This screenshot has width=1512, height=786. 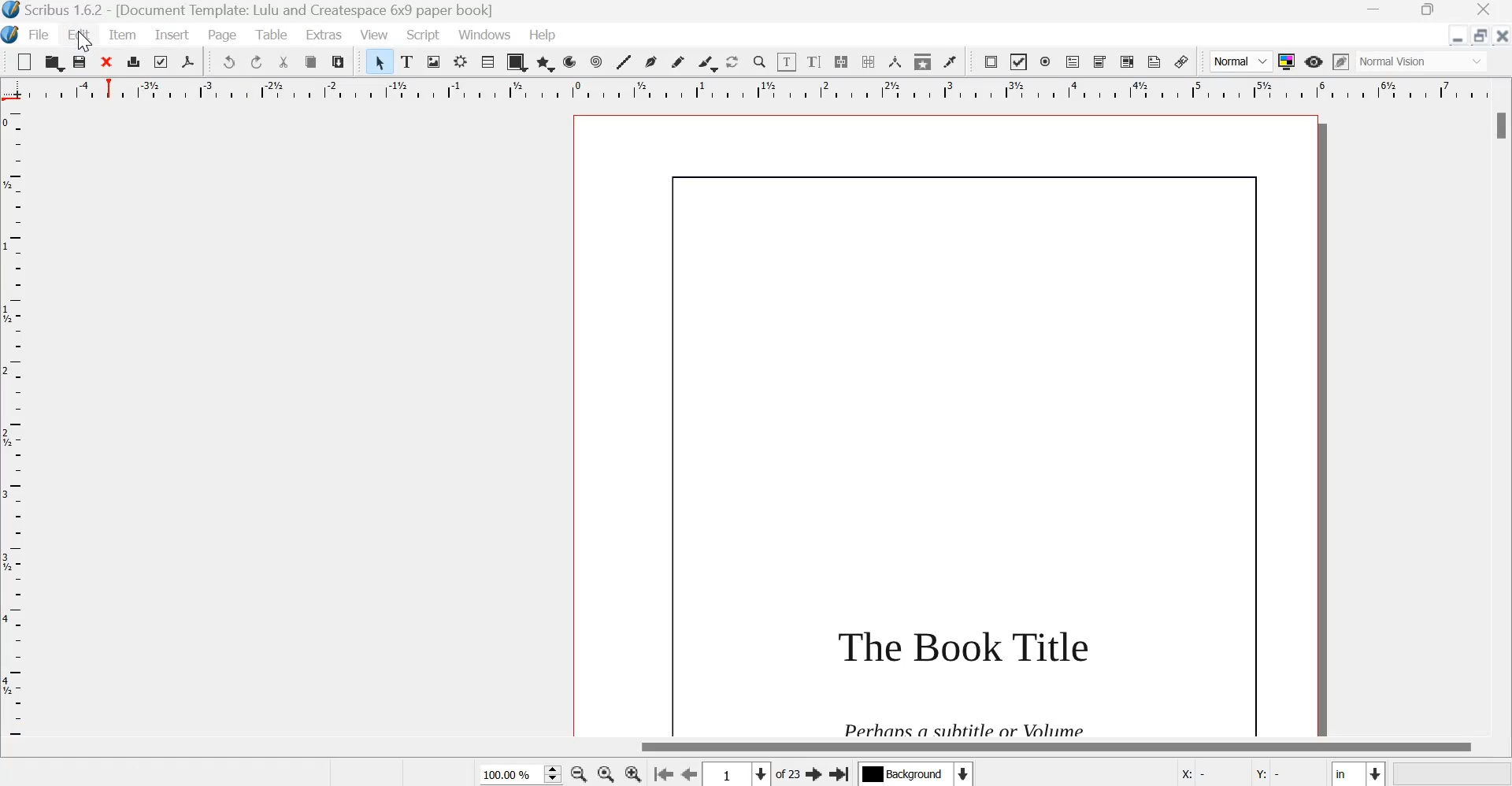 What do you see at coordinates (323, 35) in the screenshot?
I see `Extras` at bounding box center [323, 35].